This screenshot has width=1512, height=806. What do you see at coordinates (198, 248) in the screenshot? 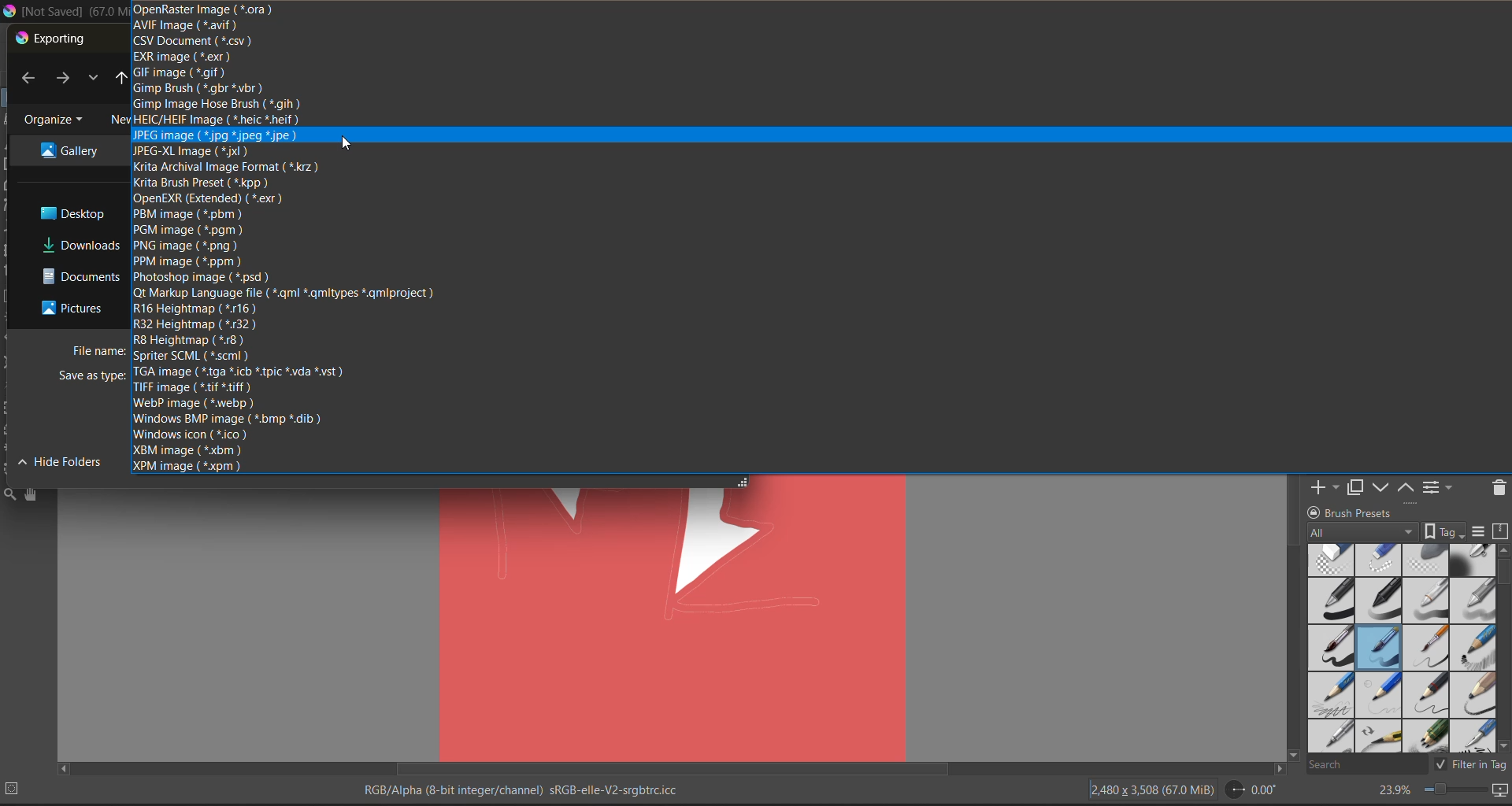
I see `png image` at bounding box center [198, 248].